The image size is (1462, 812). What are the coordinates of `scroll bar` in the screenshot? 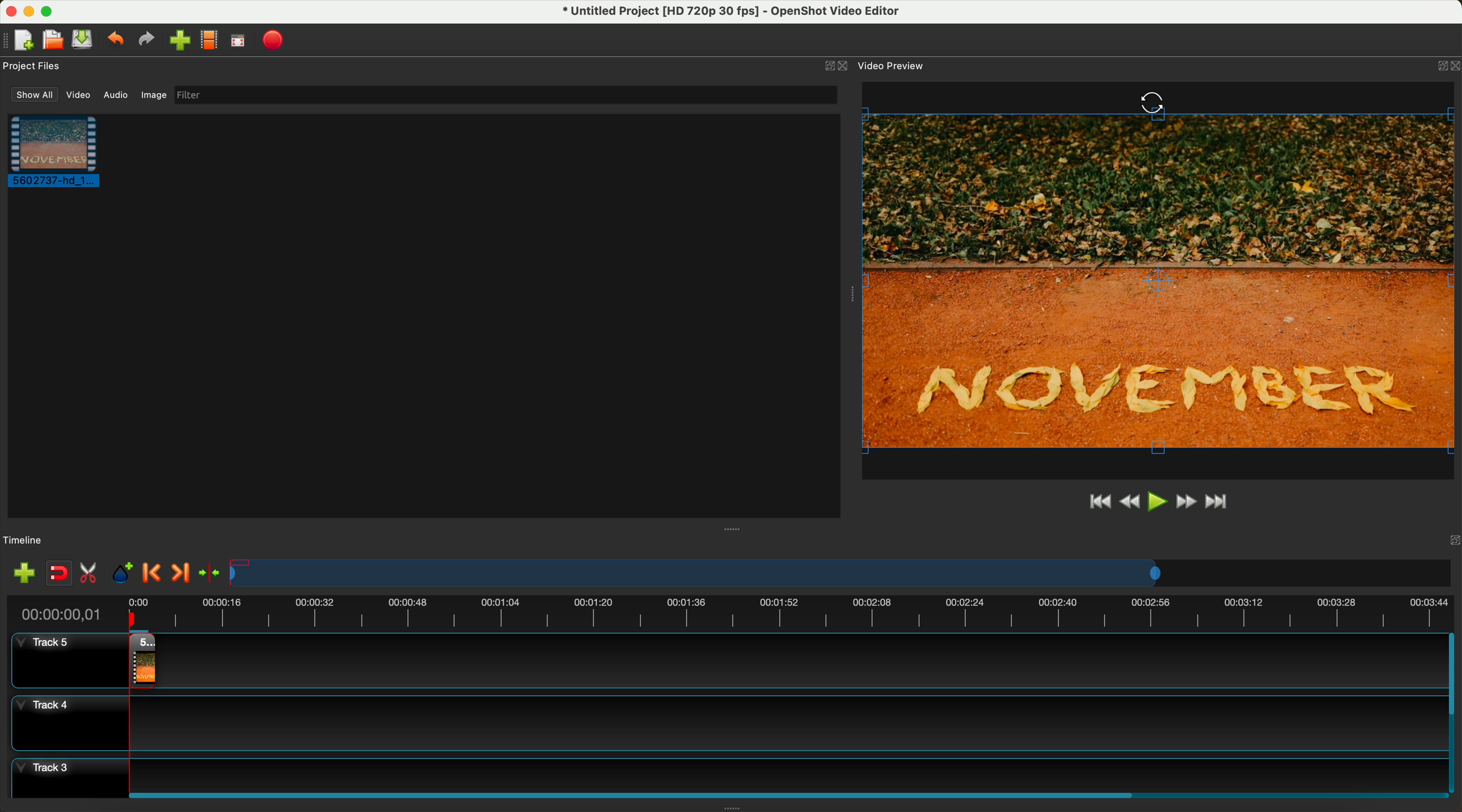 It's located at (785, 793).